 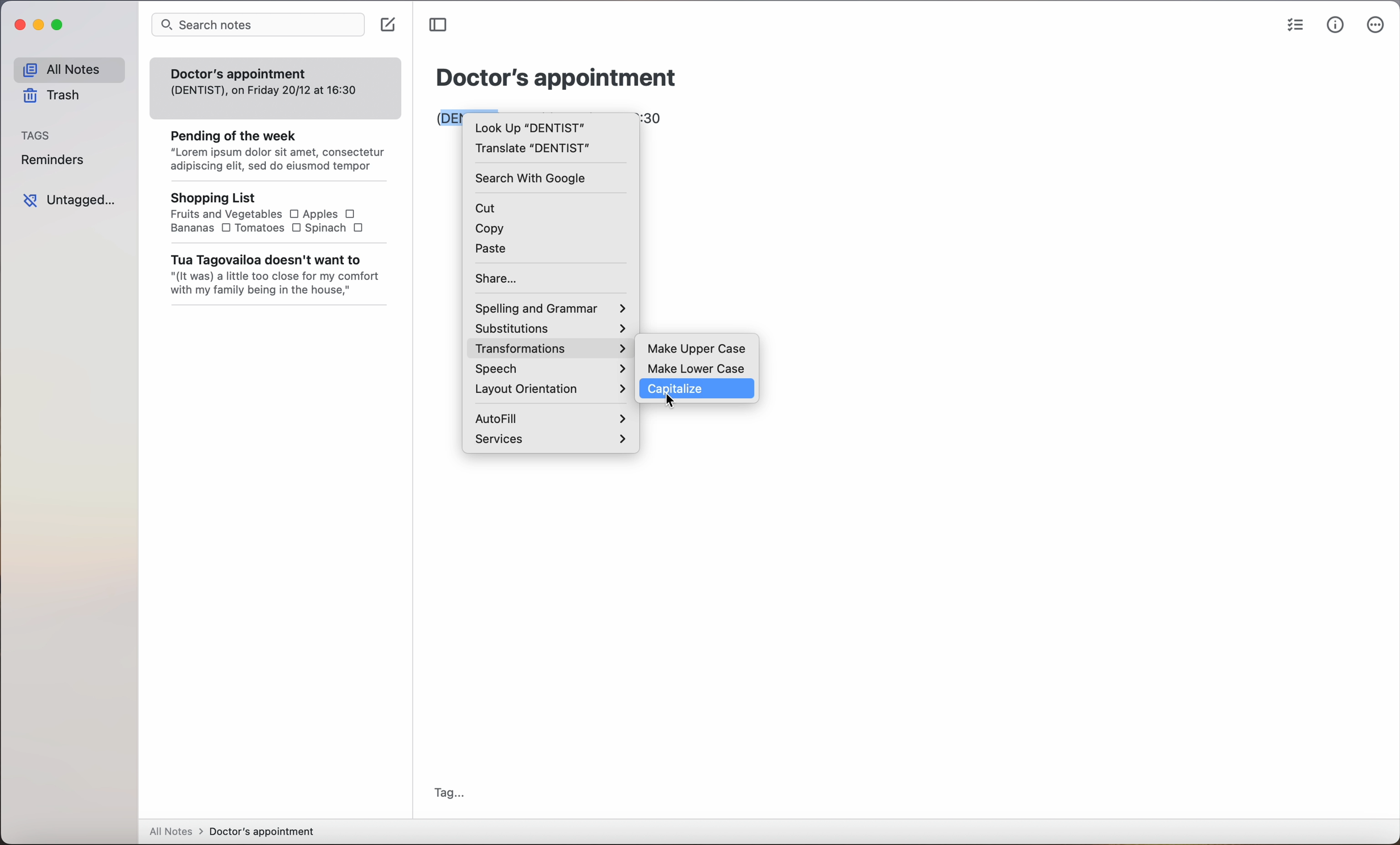 I want to click on autofill, so click(x=548, y=416).